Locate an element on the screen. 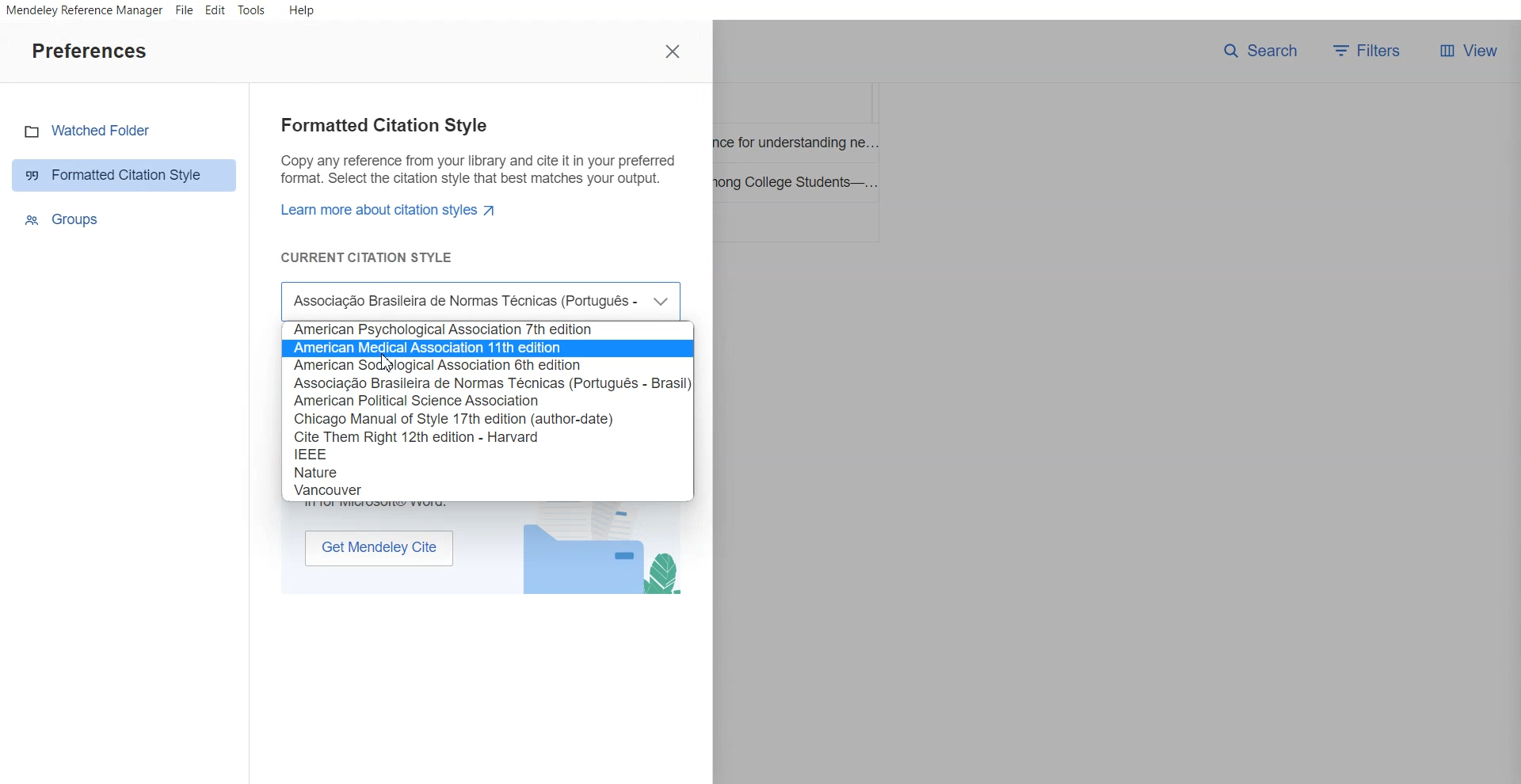 The height and width of the screenshot is (784, 1521). Veiw is located at coordinates (1468, 51).